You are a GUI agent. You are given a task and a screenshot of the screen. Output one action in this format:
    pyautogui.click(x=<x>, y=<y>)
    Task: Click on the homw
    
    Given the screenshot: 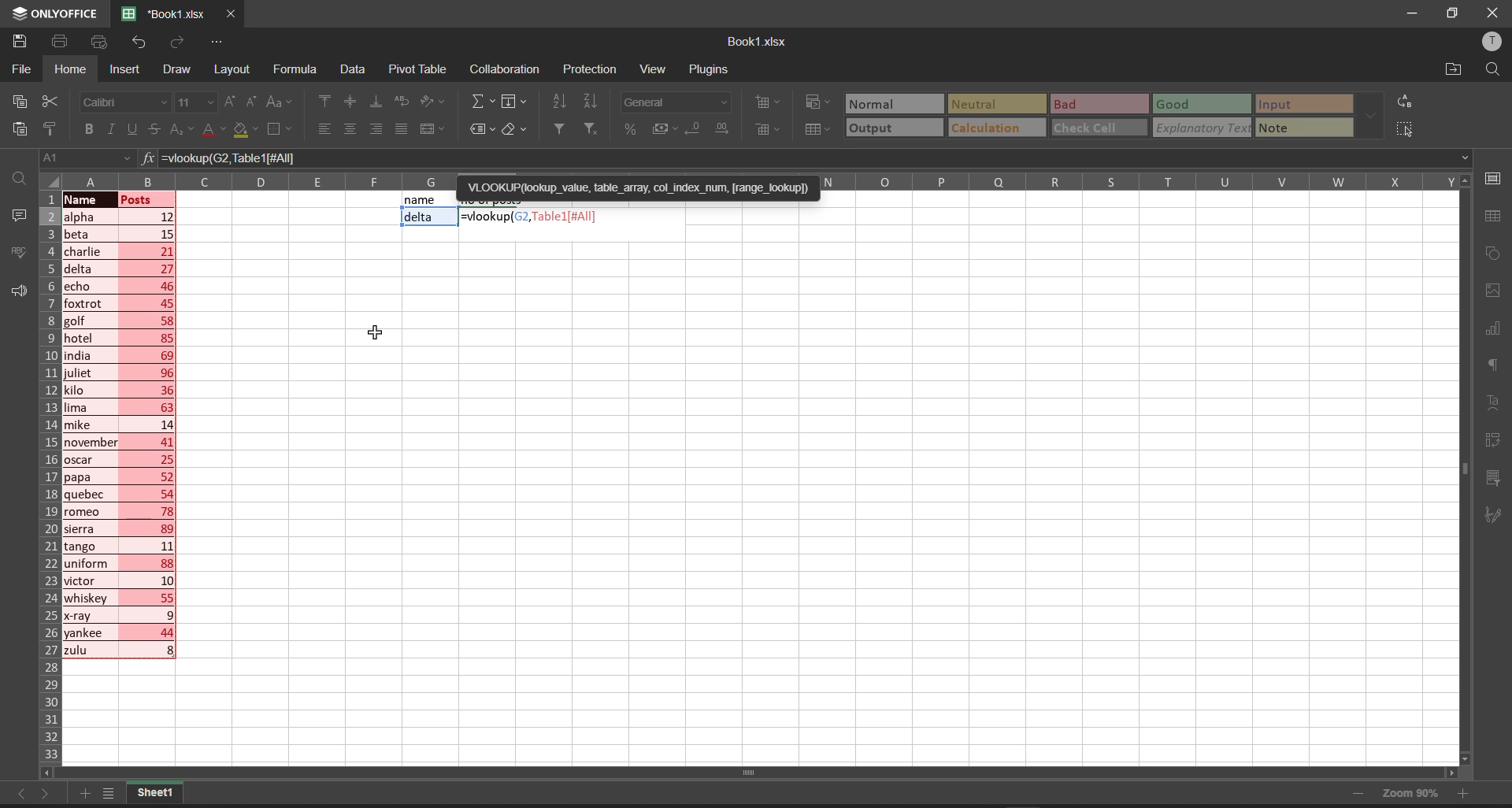 What is the action you would take?
    pyautogui.click(x=69, y=69)
    